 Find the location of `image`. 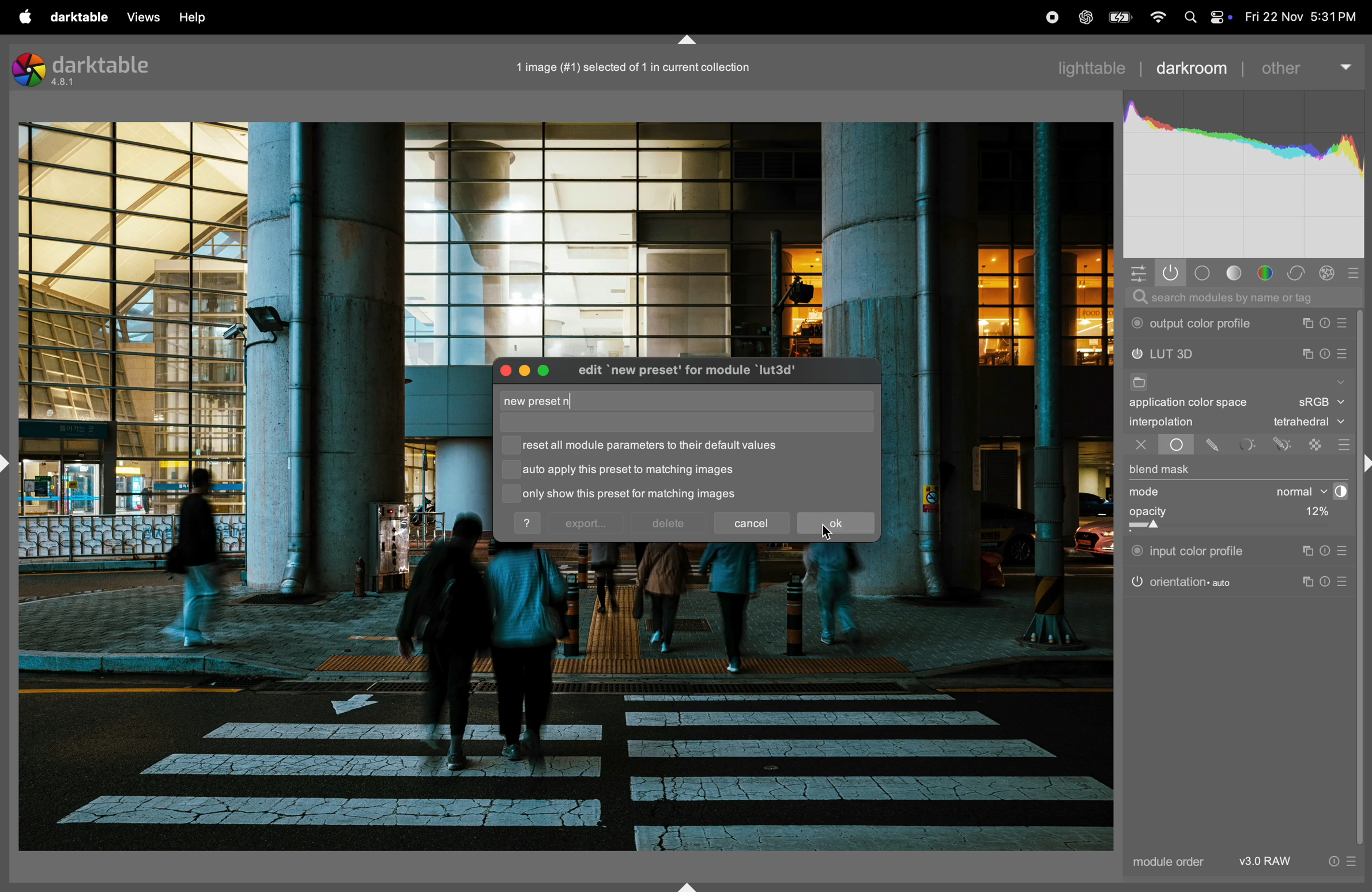

image is located at coordinates (627, 67).